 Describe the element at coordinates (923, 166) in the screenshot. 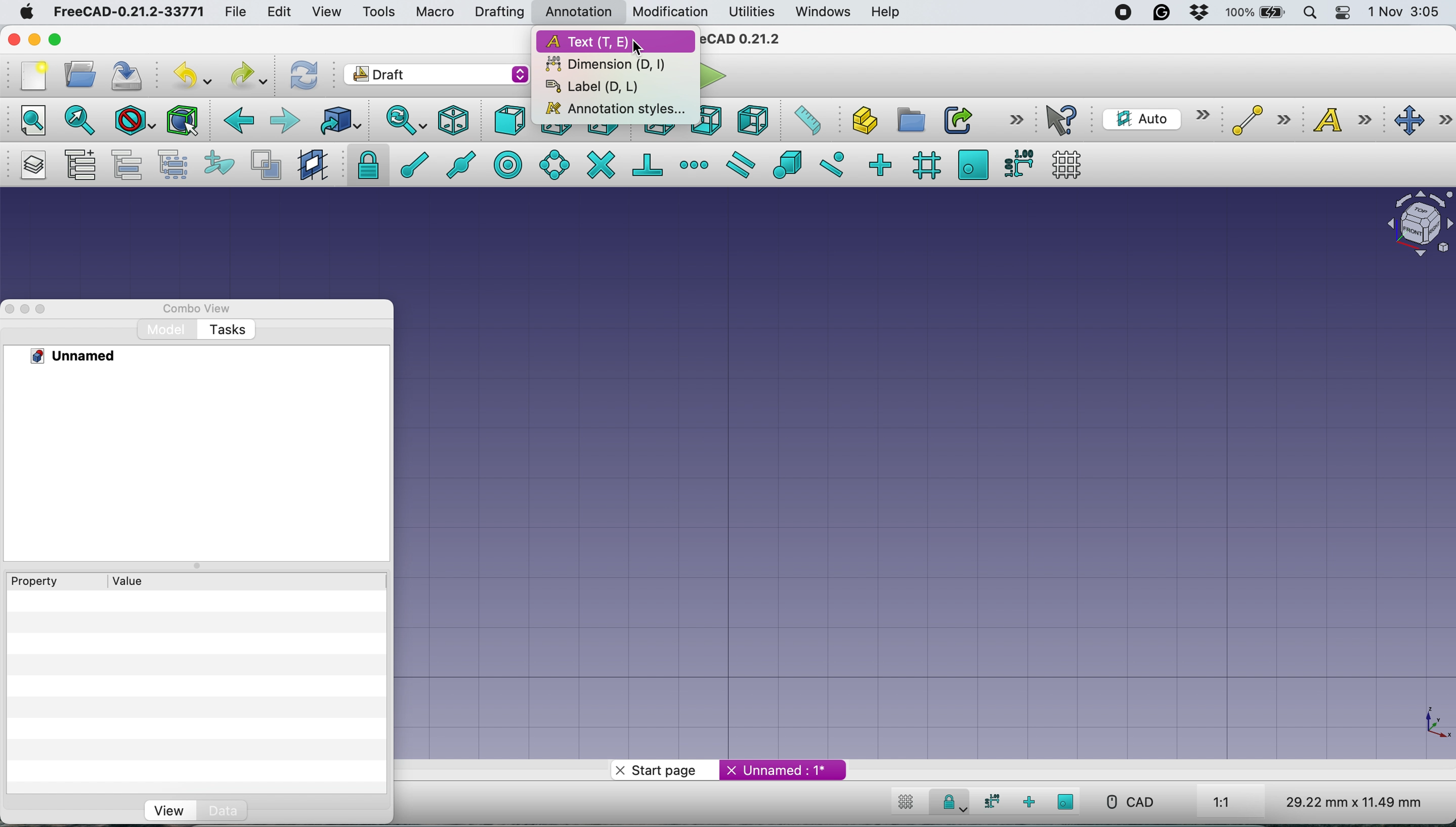

I see `snap grid` at that location.